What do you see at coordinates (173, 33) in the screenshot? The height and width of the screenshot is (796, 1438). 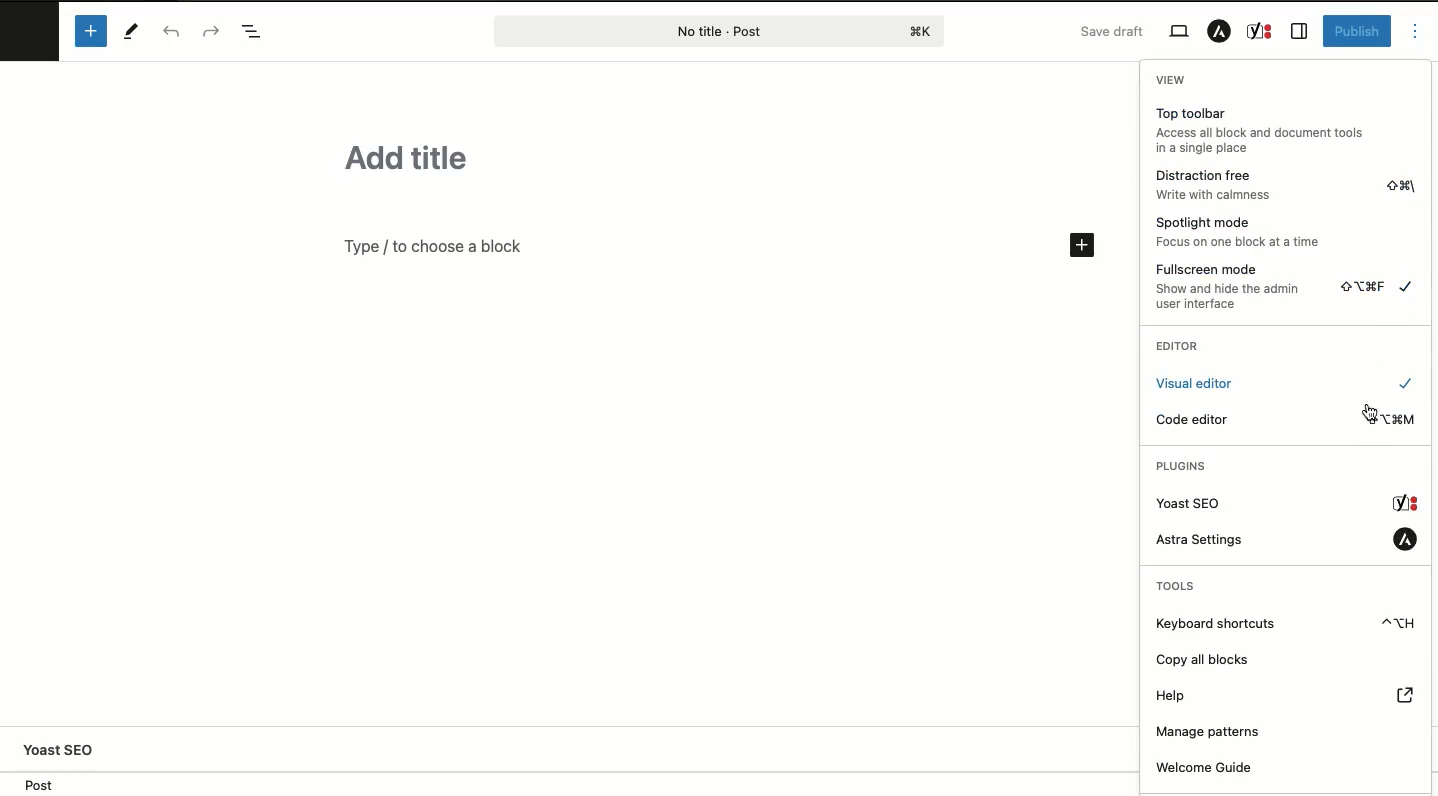 I see `Undo` at bounding box center [173, 33].